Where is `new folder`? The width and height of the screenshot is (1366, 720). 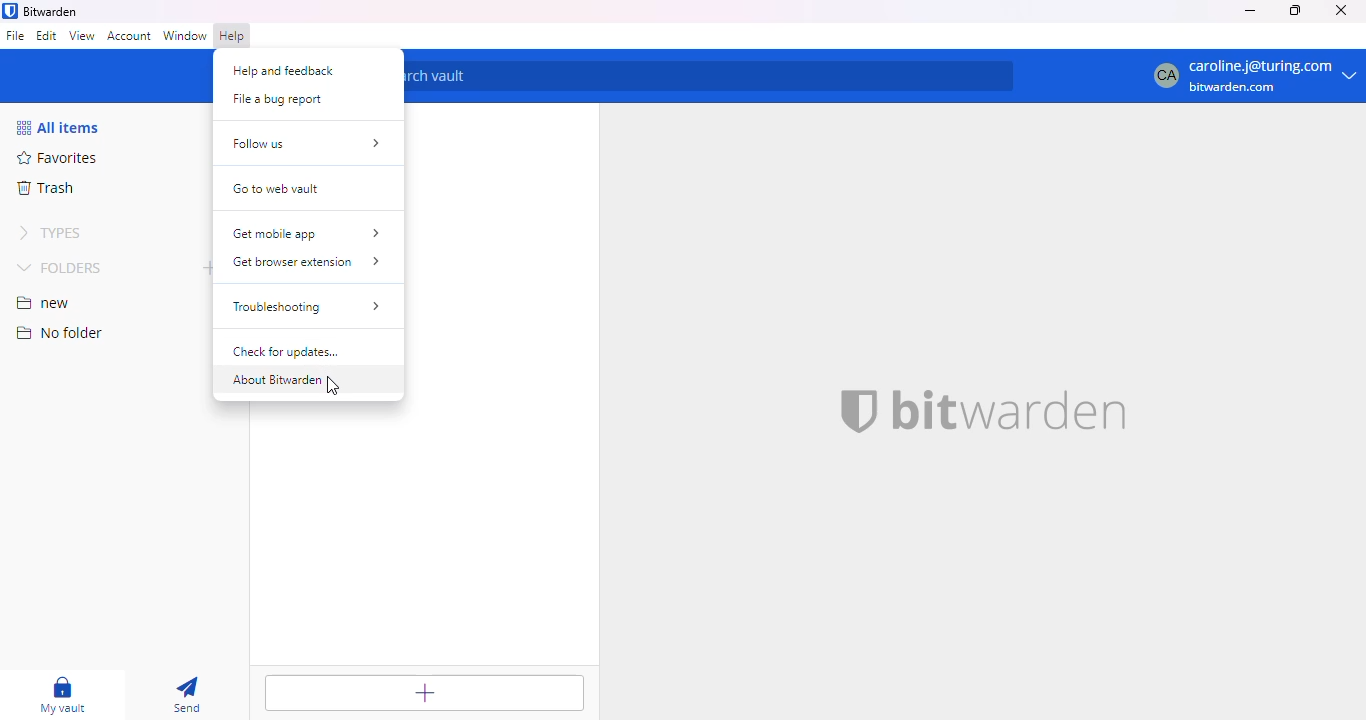 new folder is located at coordinates (205, 266).